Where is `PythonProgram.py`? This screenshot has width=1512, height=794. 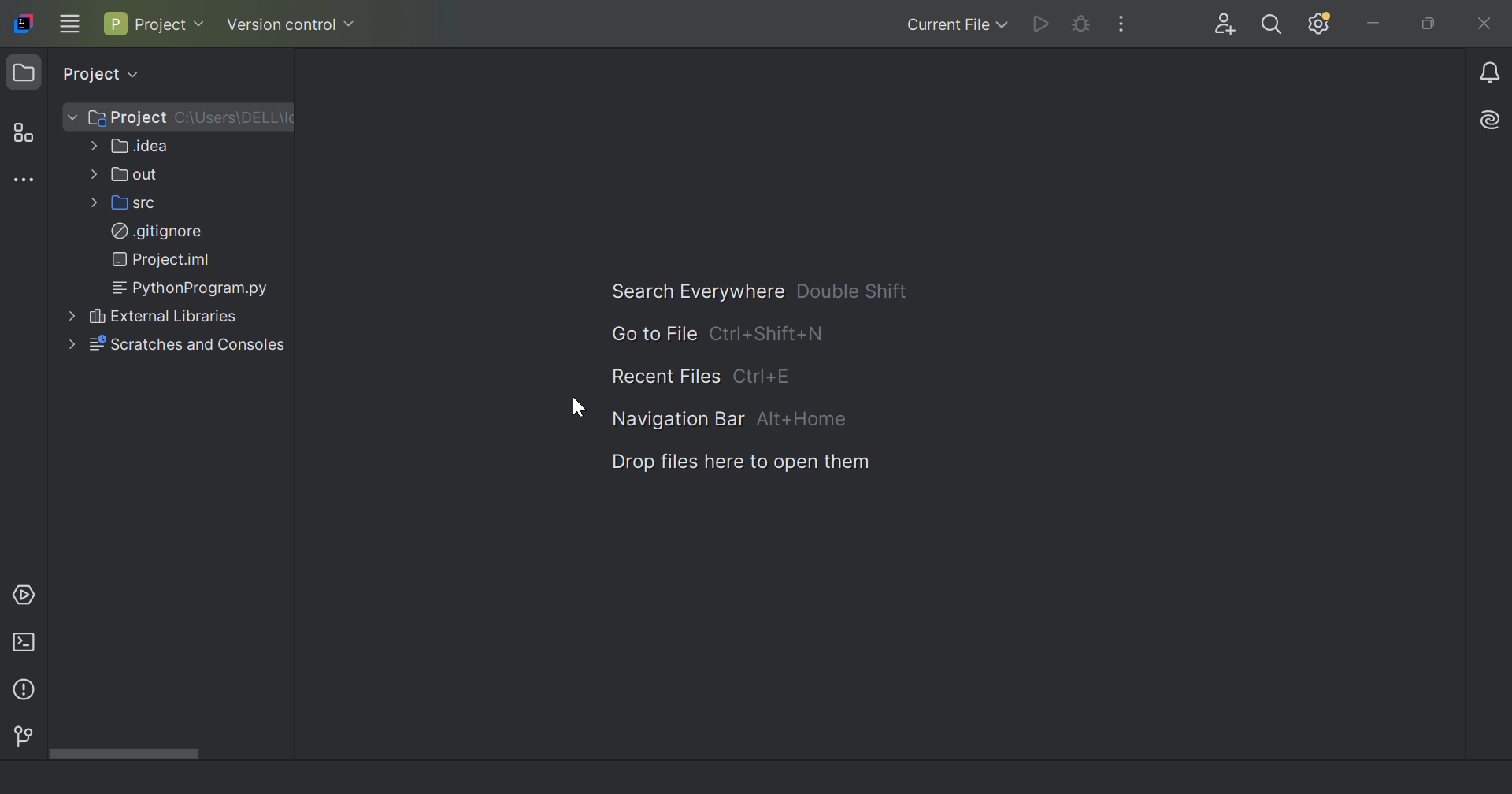
PythonProgram.py is located at coordinates (194, 288).